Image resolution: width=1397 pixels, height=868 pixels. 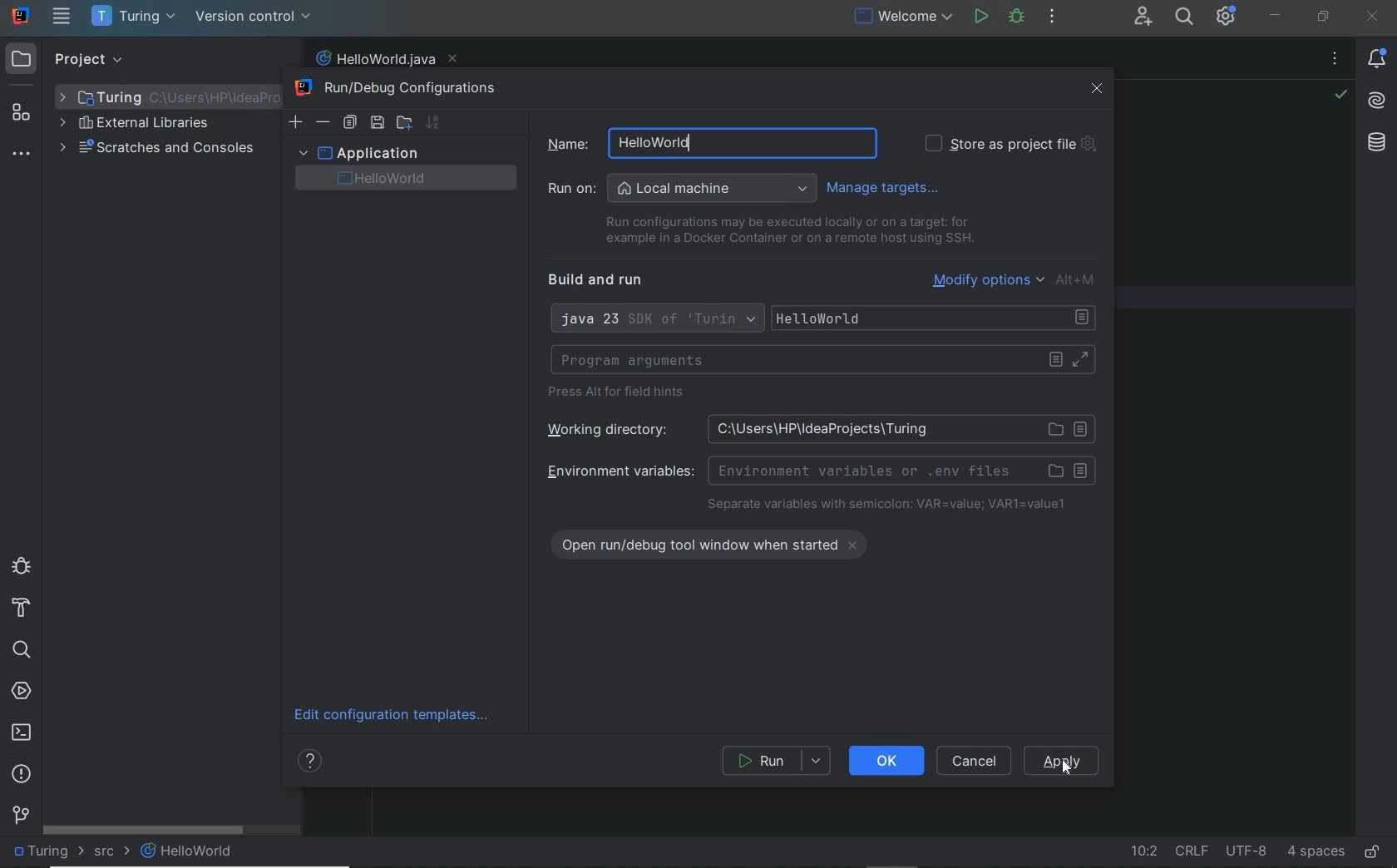 What do you see at coordinates (1377, 104) in the screenshot?
I see `AI Assistant` at bounding box center [1377, 104].